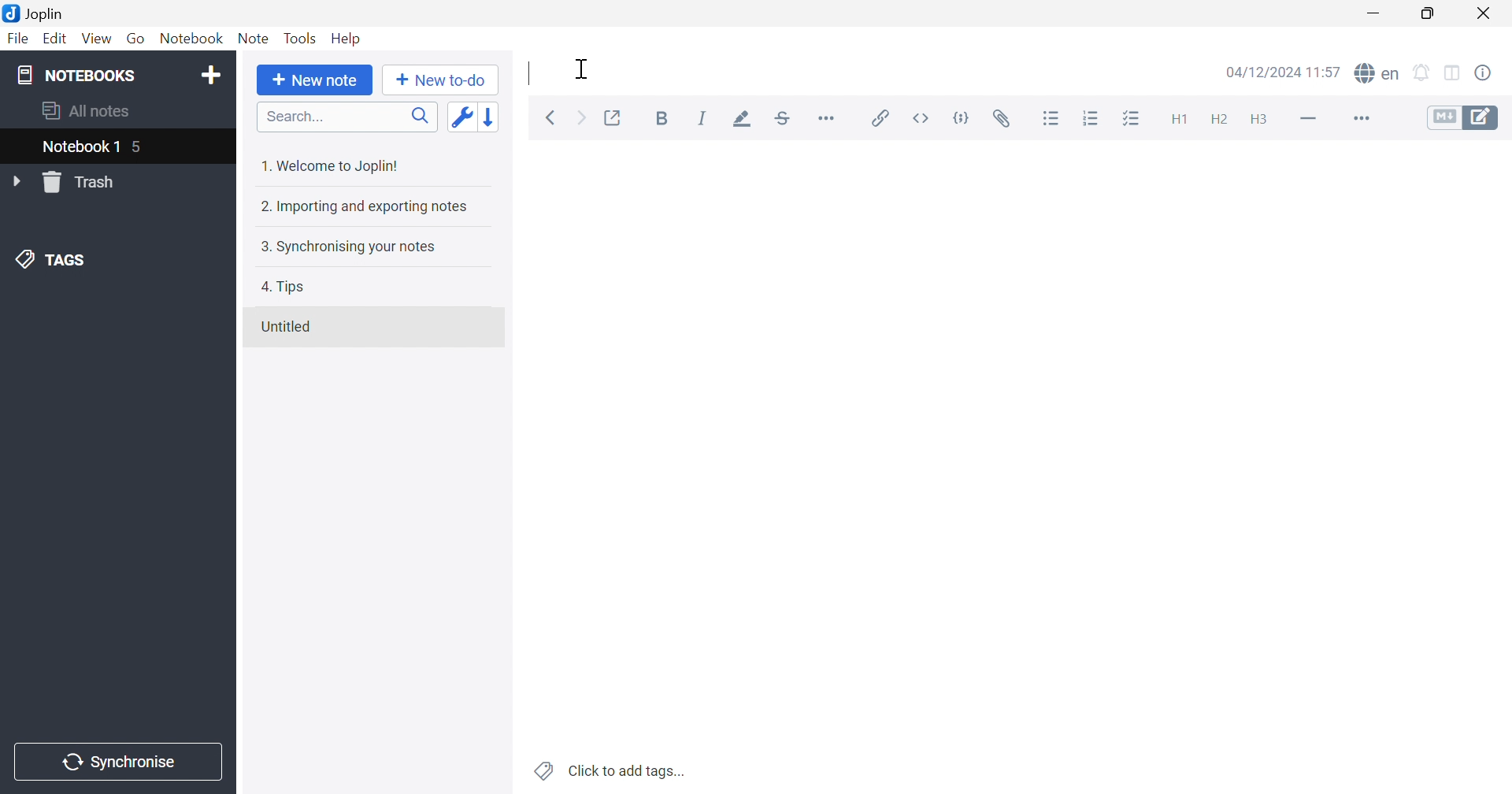 The width and height of the screenshot is (1512, 794). What do you see at coordinates (1307, 120) in the screenshot?
I see `Horizontal Line` at bounding box center [1307, 120].